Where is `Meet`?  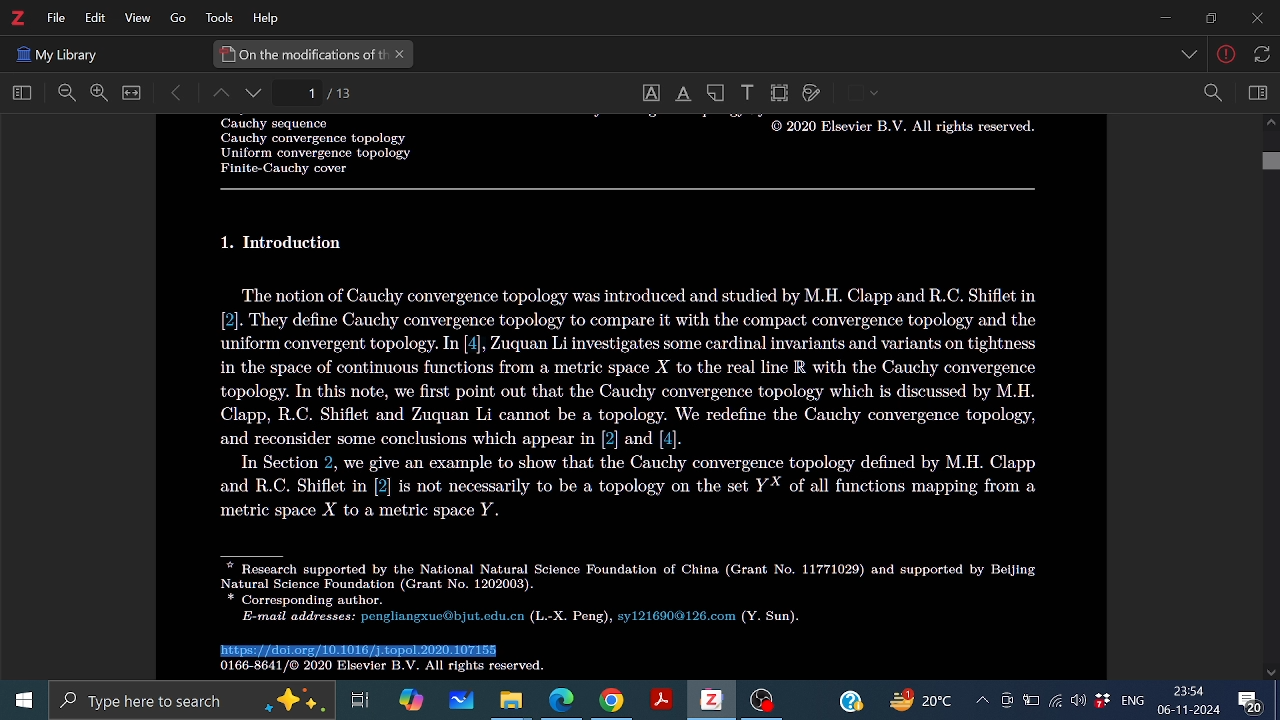 Meet is located at coordinates (1006, 701).